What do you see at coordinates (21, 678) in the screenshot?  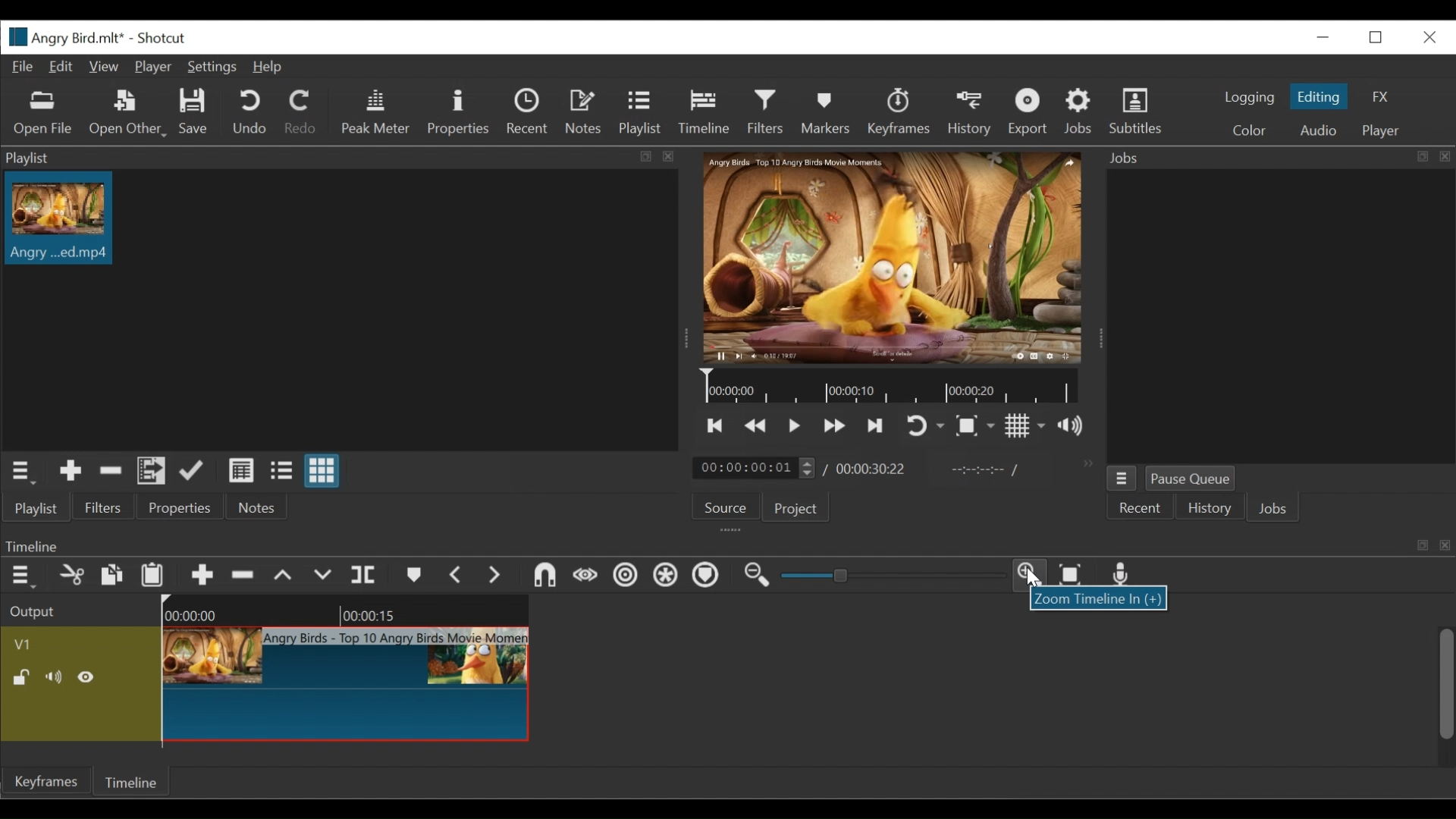 I see `(un)lock track` at bounding box center [21, 678].